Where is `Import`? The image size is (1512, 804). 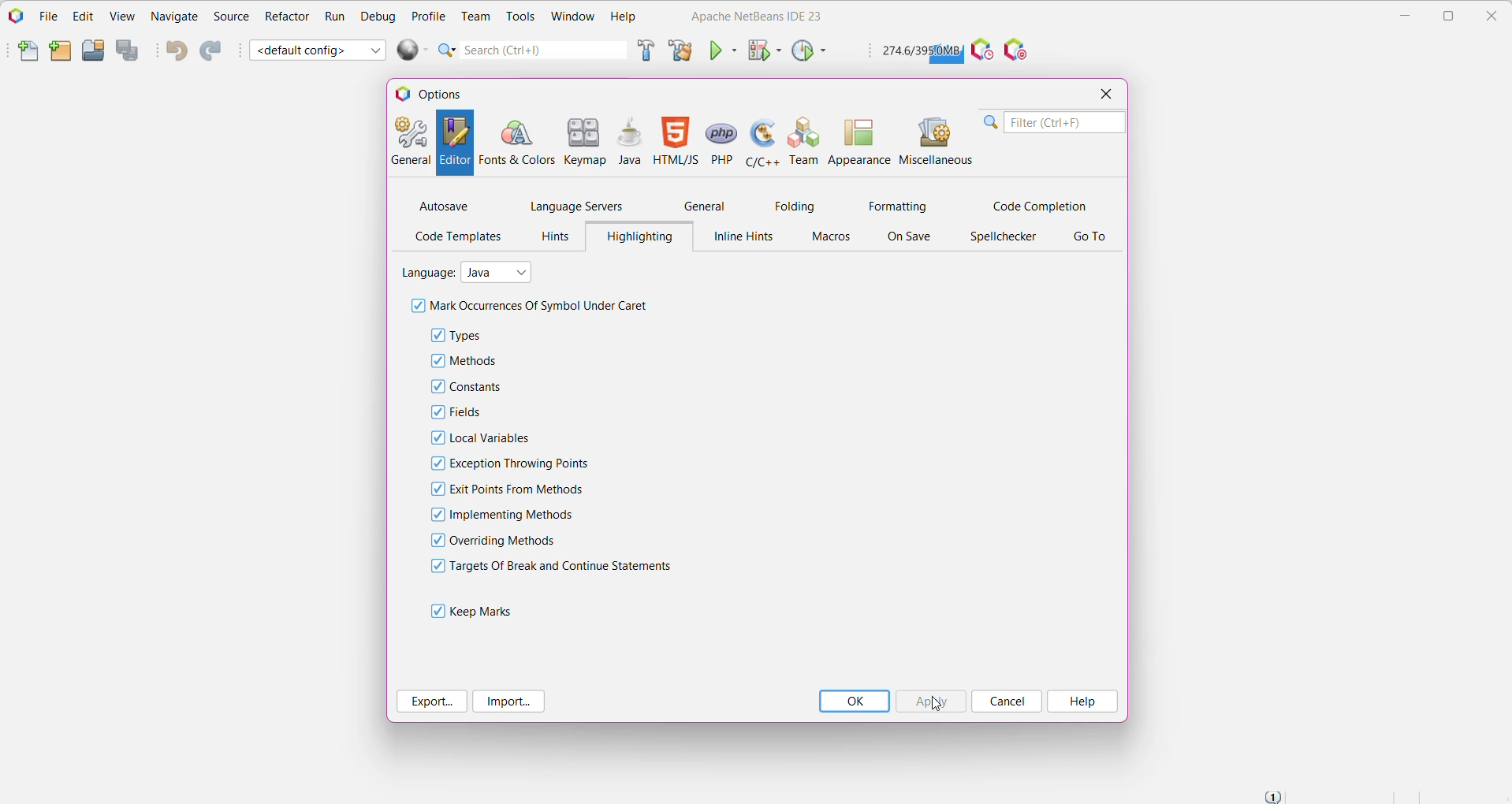 Import is located at coordinates (510, 701).